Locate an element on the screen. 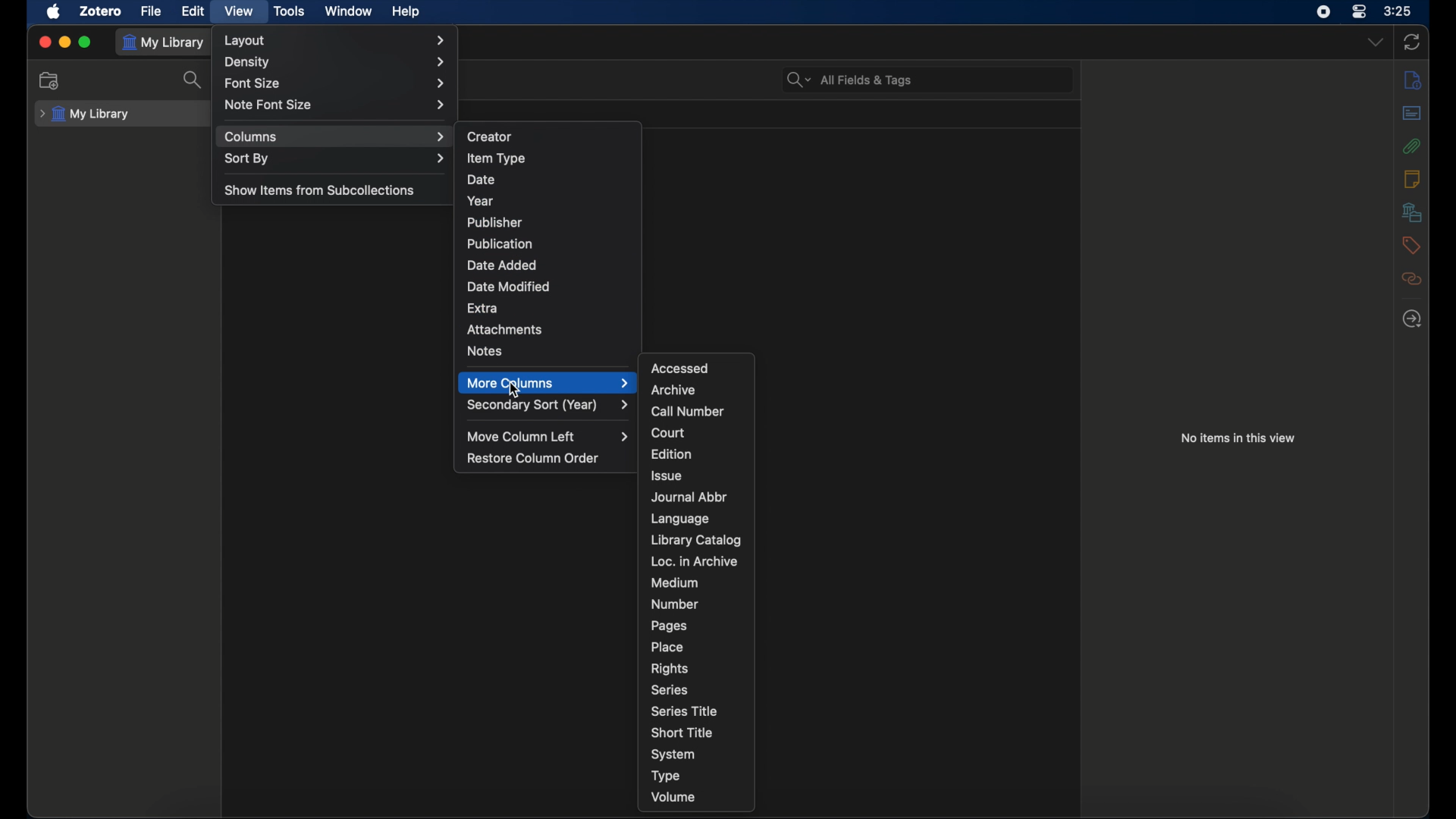 The image size is (1456, 819). font size is located at coordinates (335, 84).